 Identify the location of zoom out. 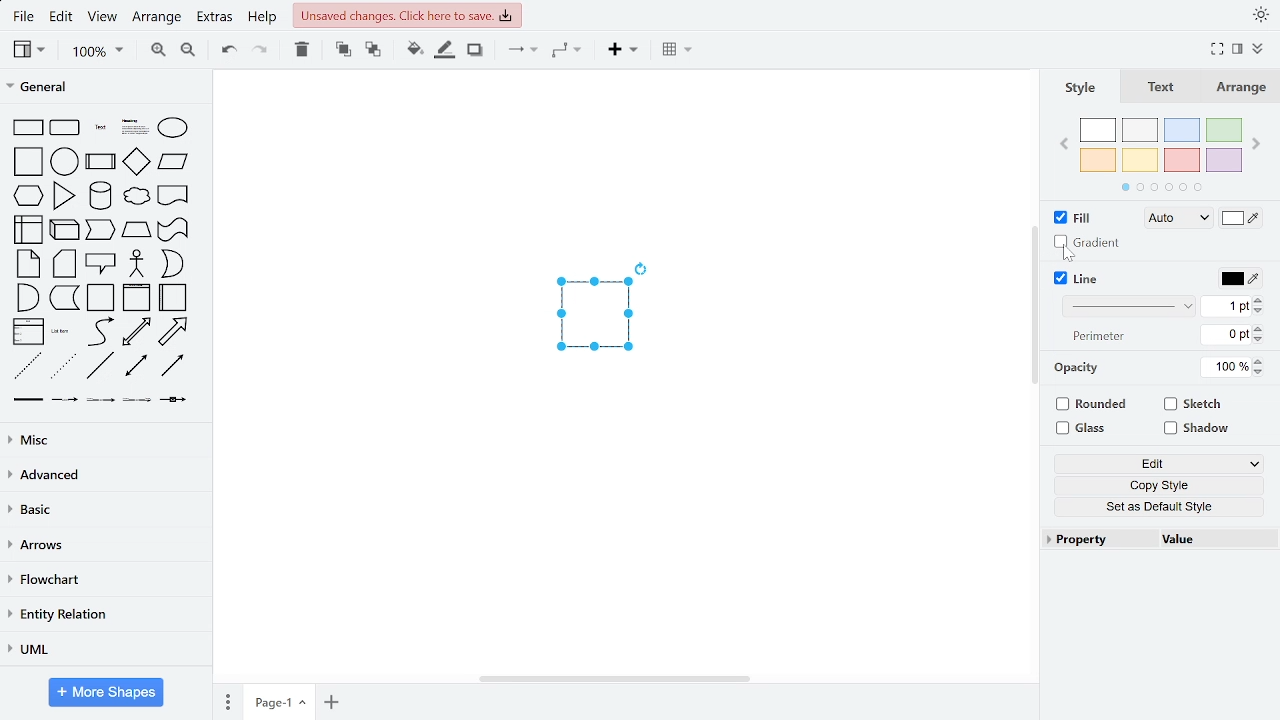
(188, 51).